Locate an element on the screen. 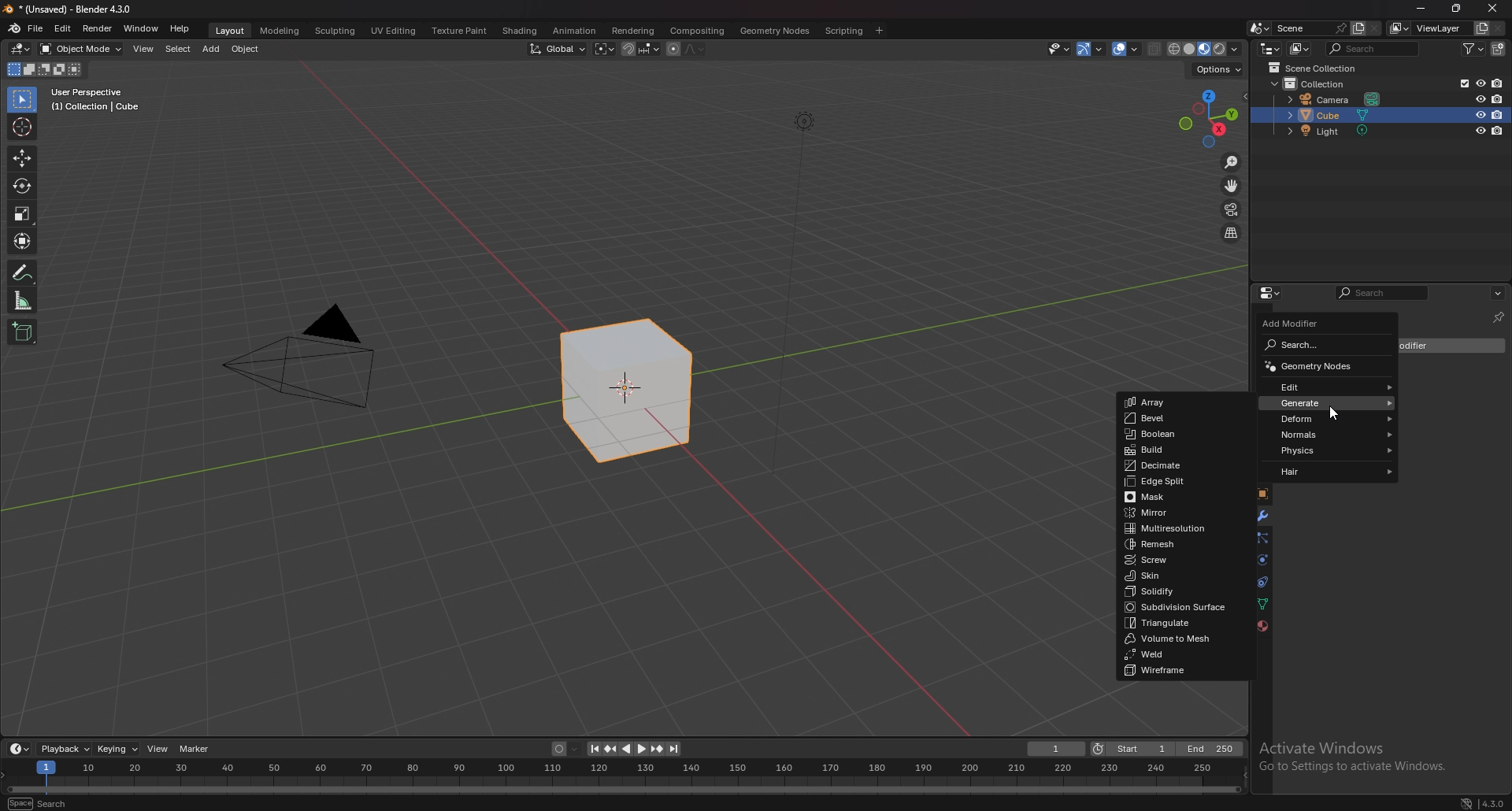 Image resolution: width=1512 pixels, height=811 pixels. wireframe is located at coordinates (1186, 671).